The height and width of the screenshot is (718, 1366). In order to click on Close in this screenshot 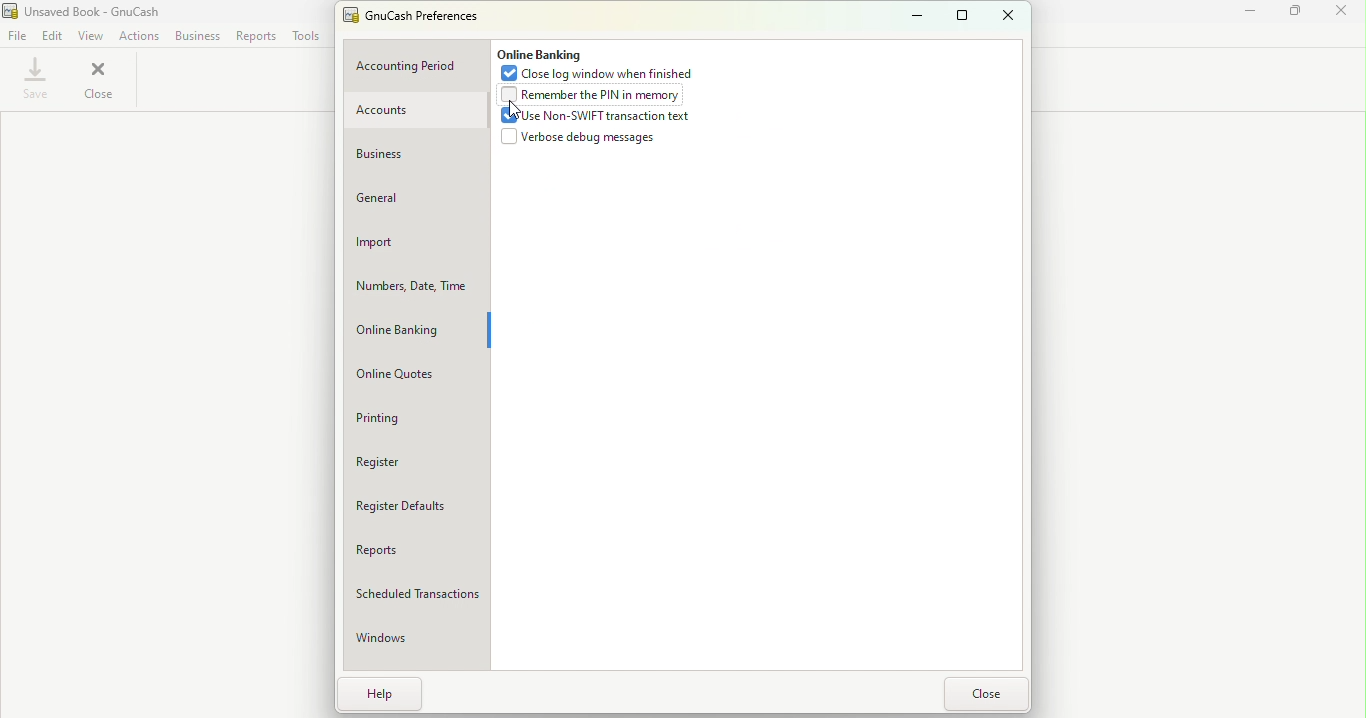, I will do `click(1345, 16)`.